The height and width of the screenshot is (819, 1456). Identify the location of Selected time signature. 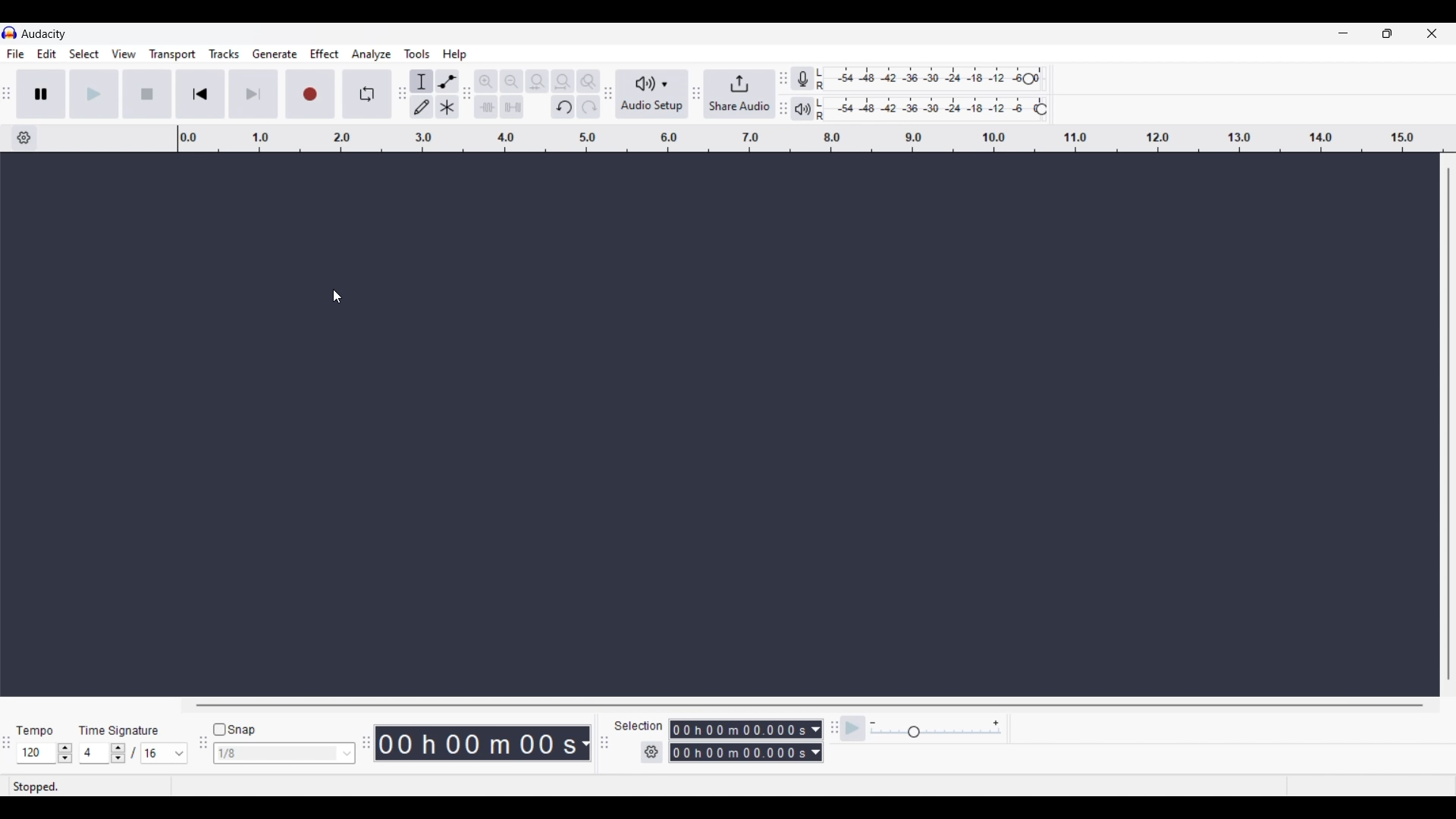
(156, 754).